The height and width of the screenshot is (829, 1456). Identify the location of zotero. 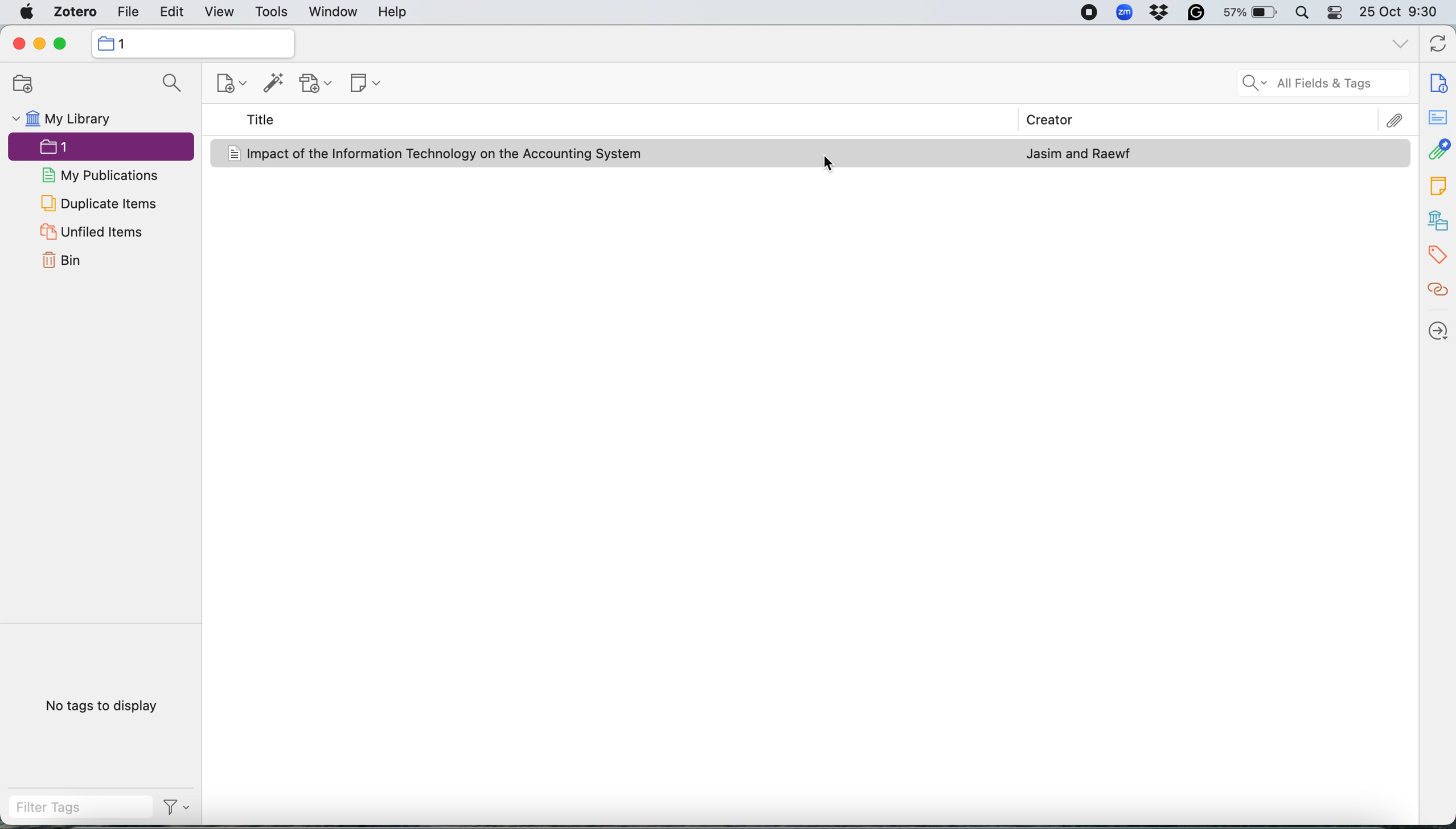
(75, 12).